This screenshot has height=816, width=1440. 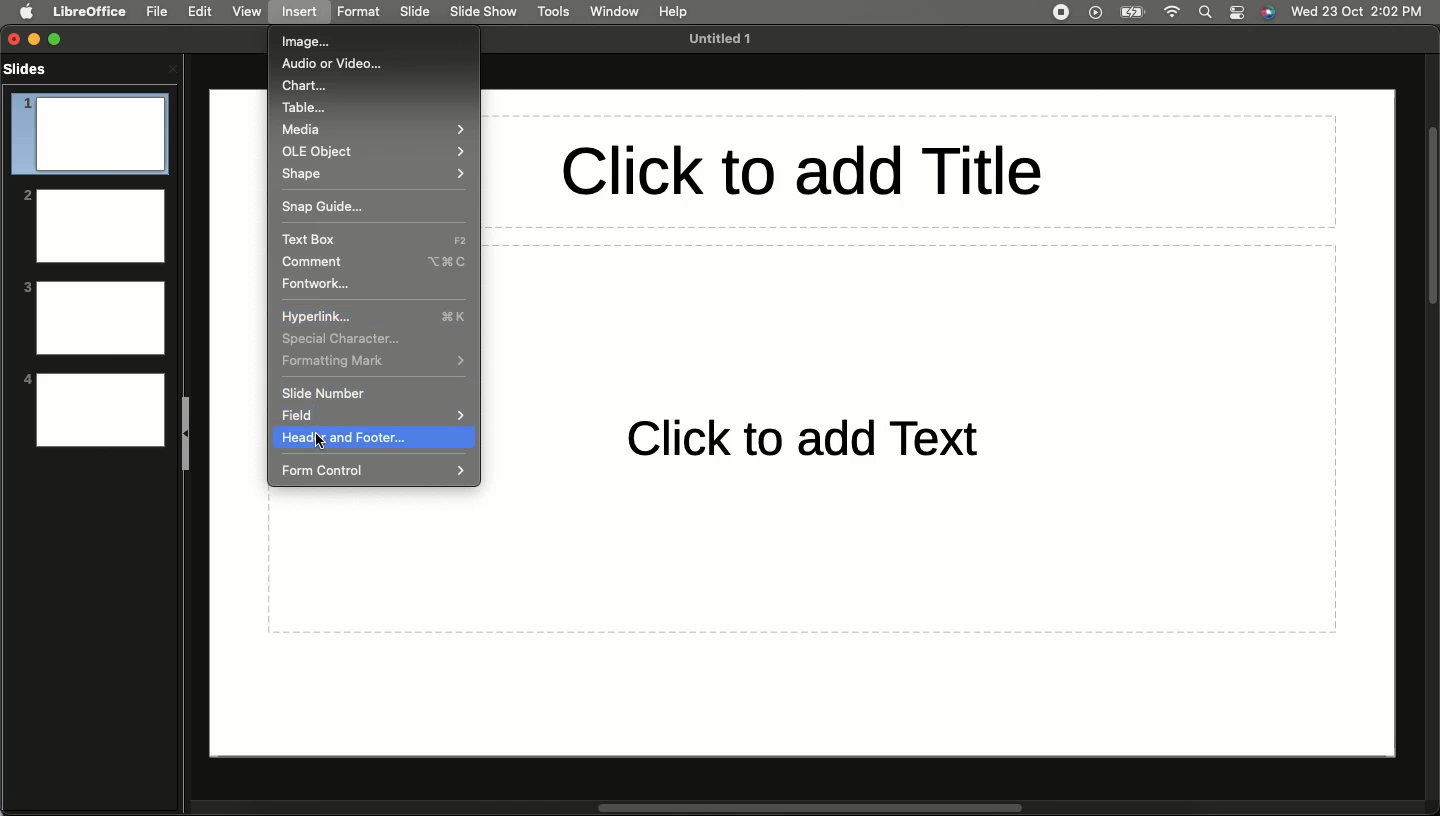 What do you see at coordinates (326, 206) in the screenshot?
I see `Snap guide` at bounding box center [326, 206].